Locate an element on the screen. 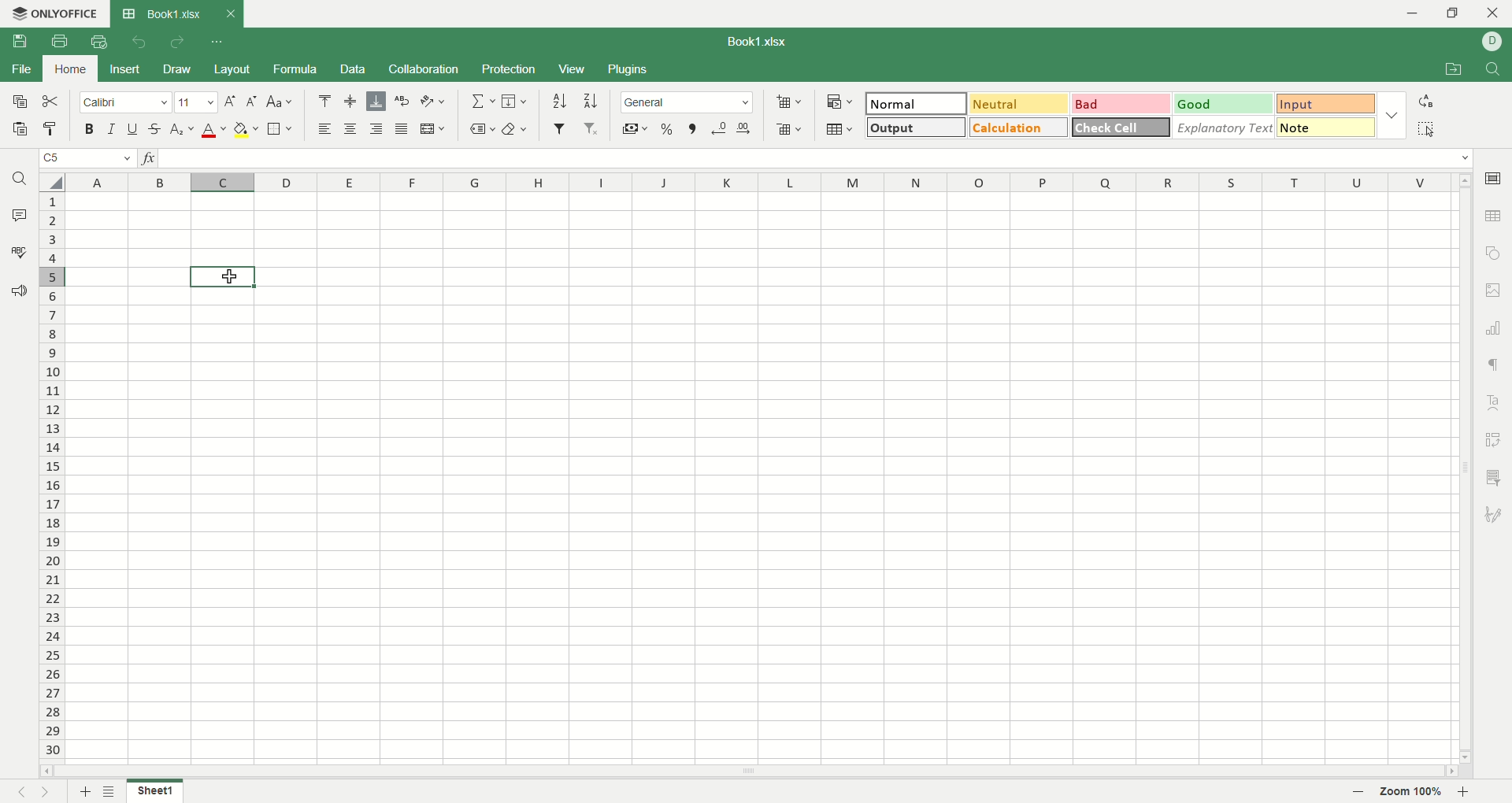 The height and width of the screenshot is (803, 1512). align top is located at coordinates (324, 101).